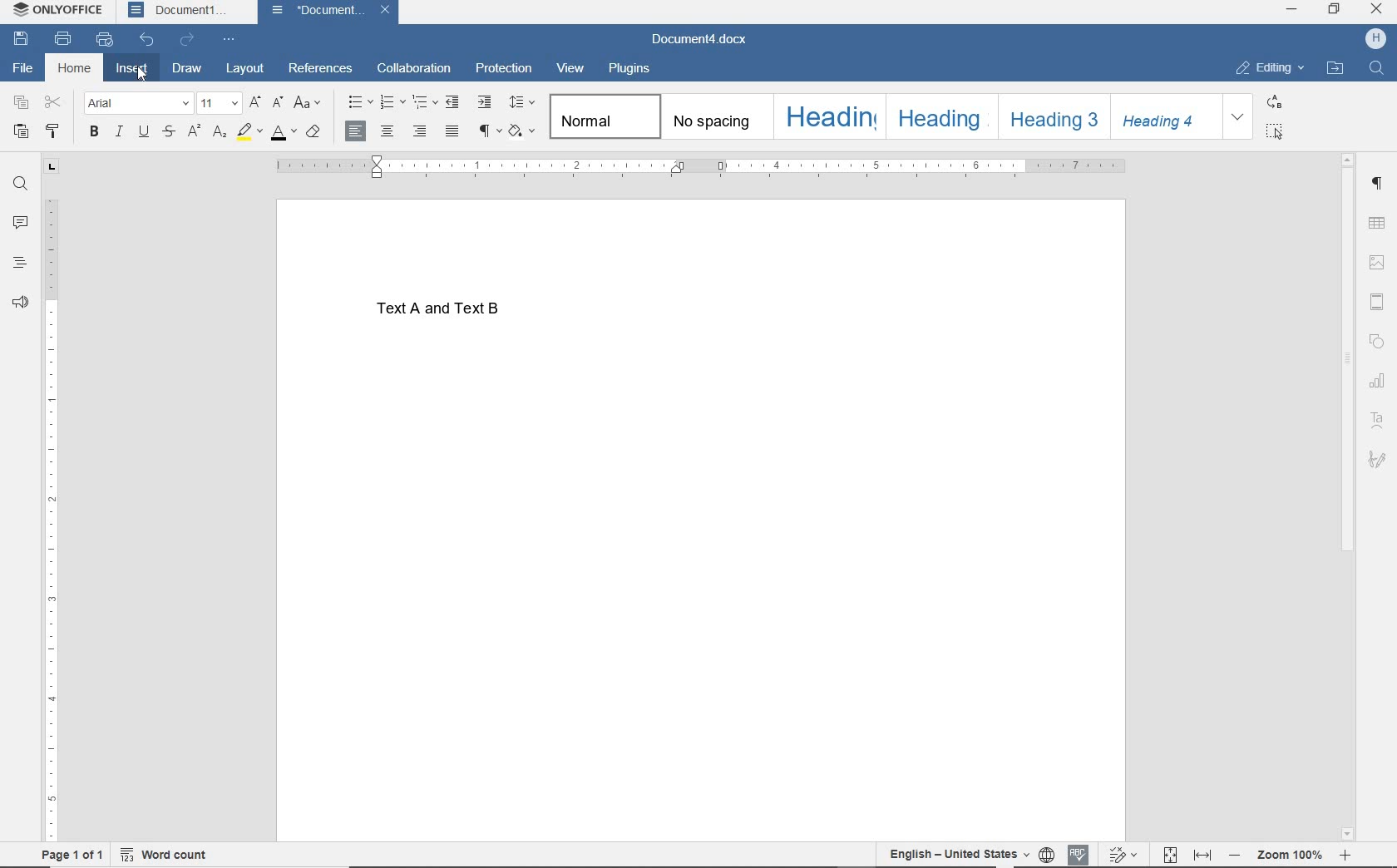  I want to click on NO SPACING, so click(714, 116).